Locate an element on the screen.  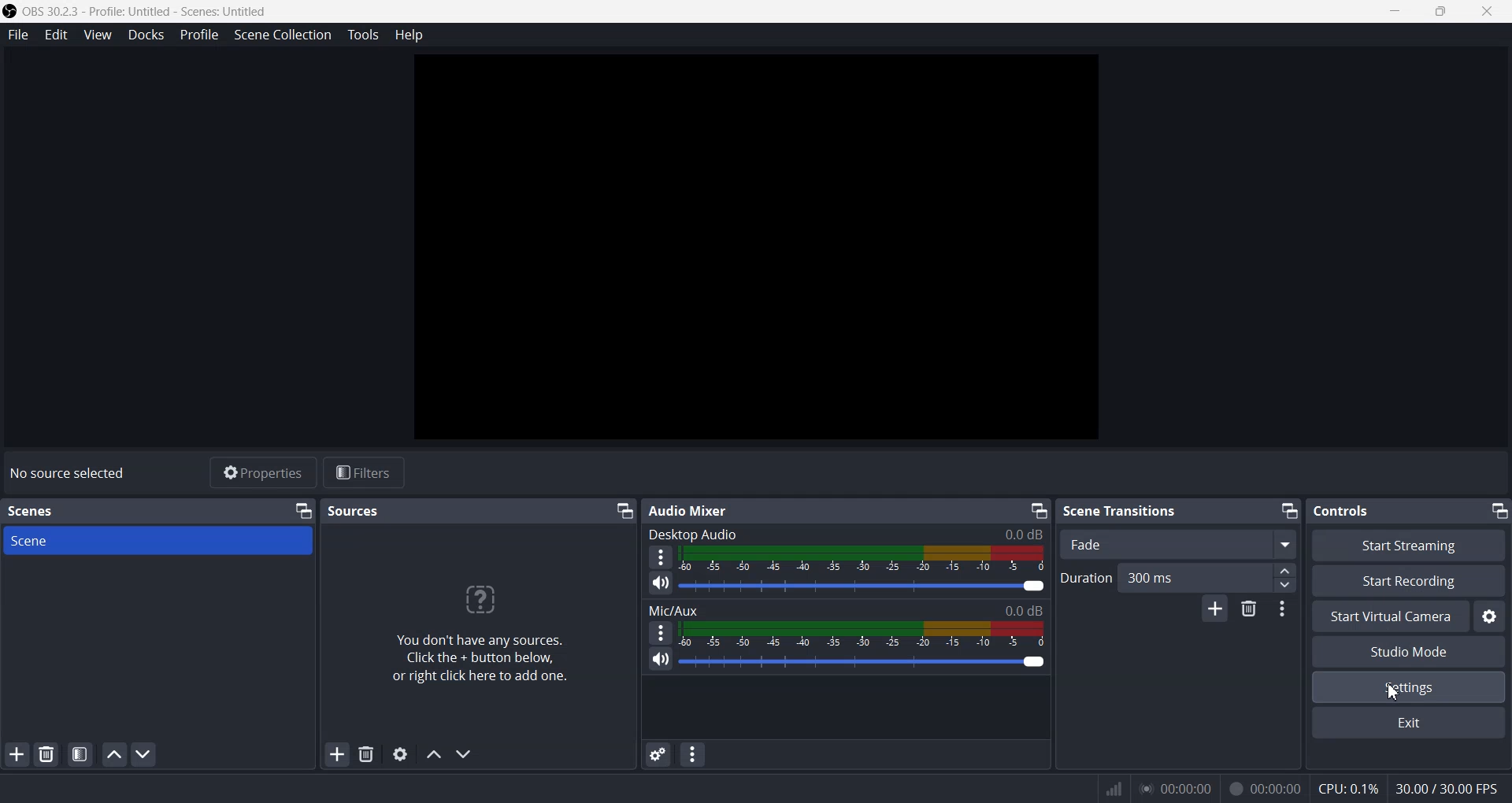
Duration is located at coordinates (1087, 579).